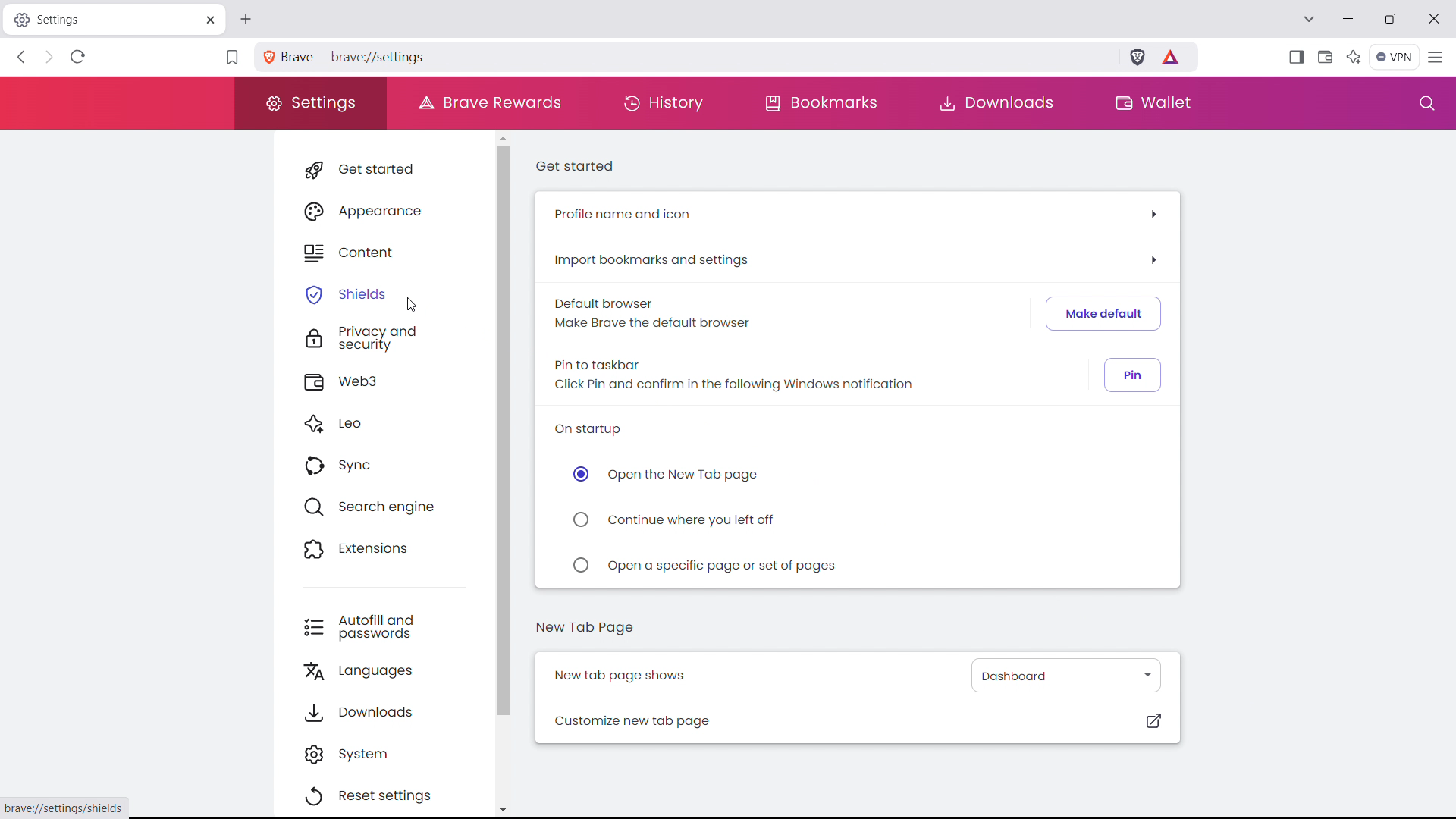  What do you see at coordinates (858, 720) in the screenshot?
I see `customize new tab page` at bounding box center [858, 720].